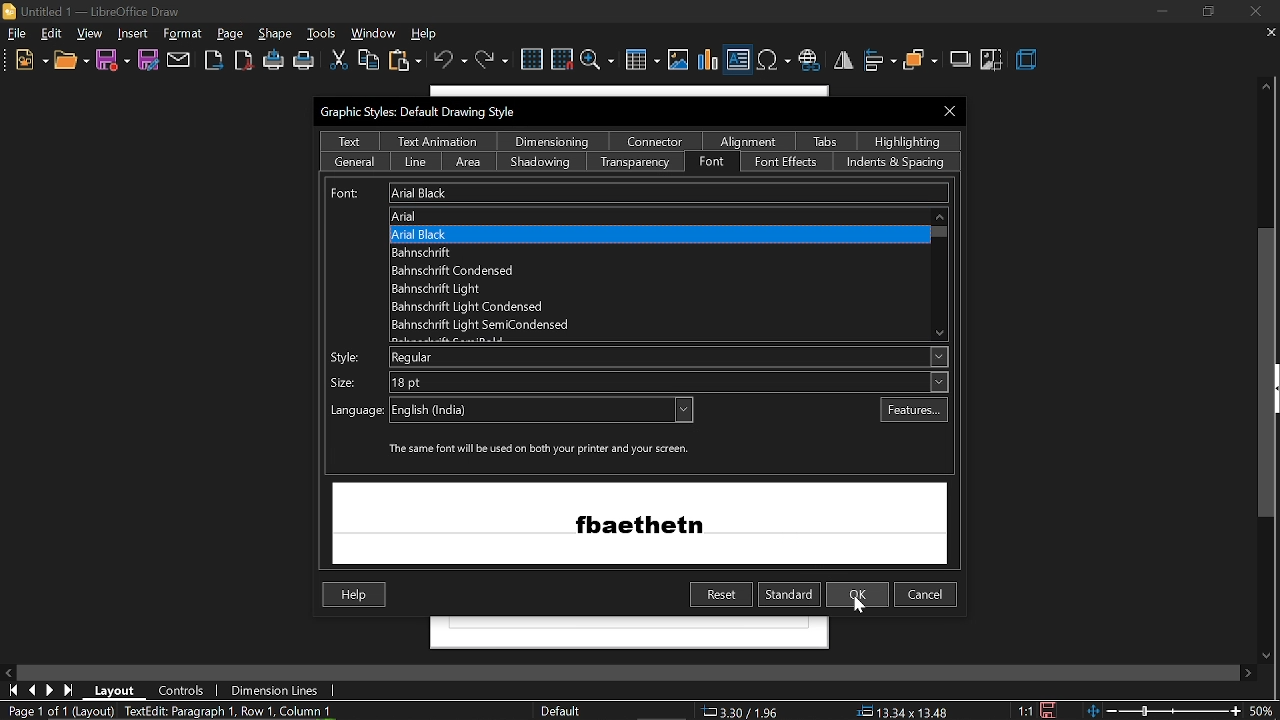  What do you see at coordinates (961, 60) in the screenshot?
I see `shadow` at bounding box center [961, 60].